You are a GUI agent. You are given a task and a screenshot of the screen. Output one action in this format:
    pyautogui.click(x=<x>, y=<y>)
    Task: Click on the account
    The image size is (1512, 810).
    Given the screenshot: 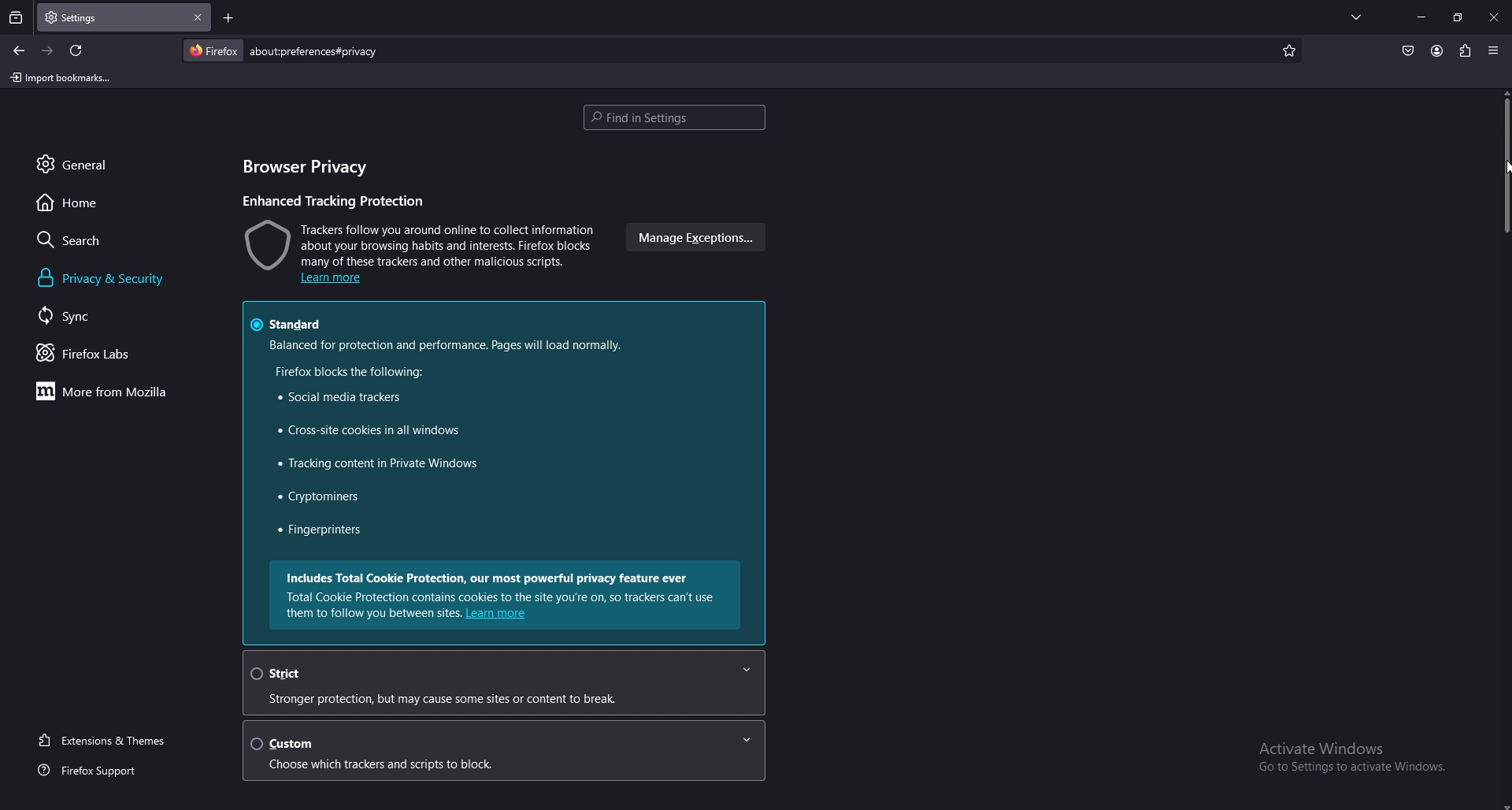 What is the action you would take?
    pyautogui.click(x=1436, y=50)
    